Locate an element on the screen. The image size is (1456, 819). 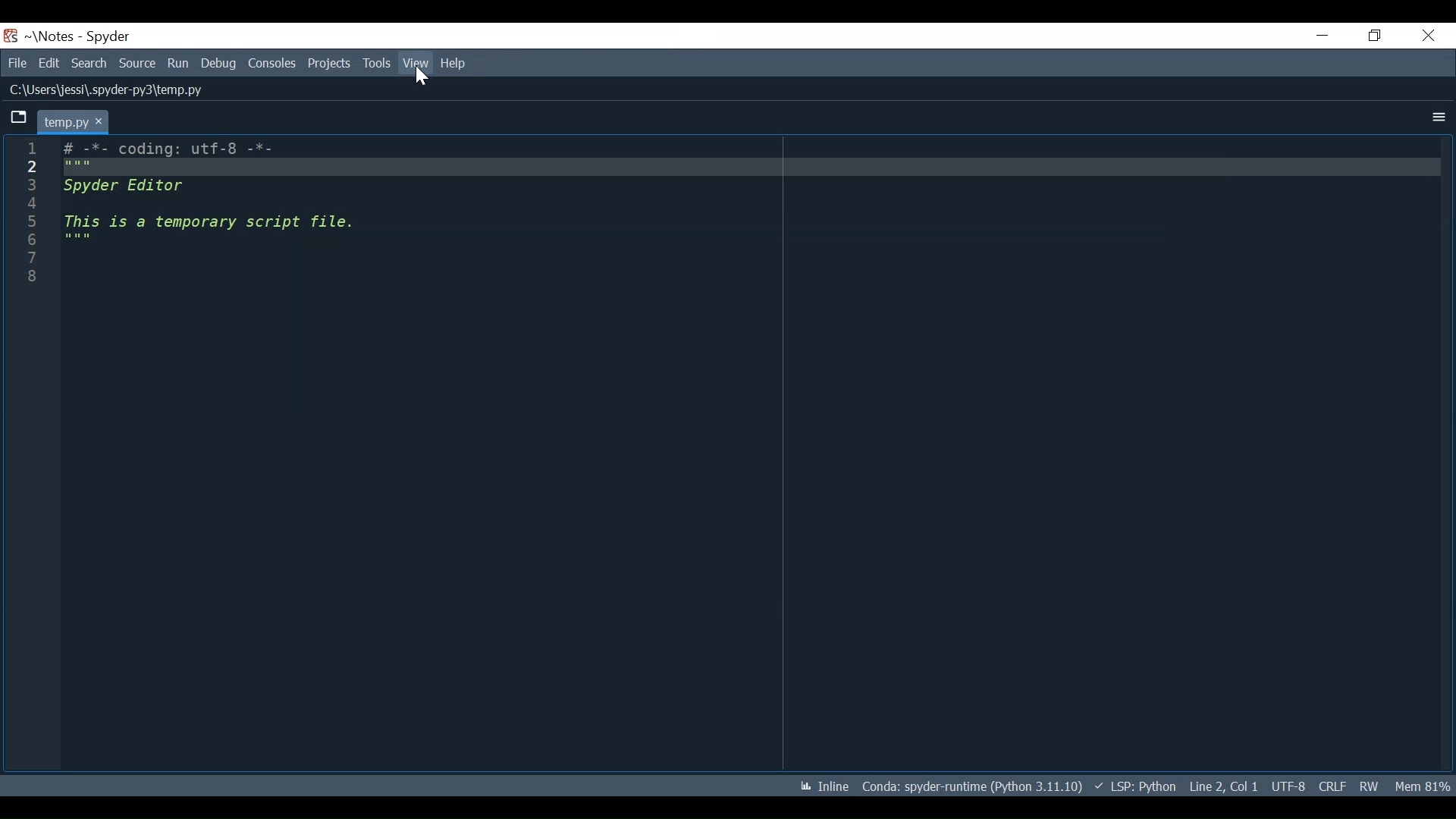
Help is located at coordinates (414, 64).